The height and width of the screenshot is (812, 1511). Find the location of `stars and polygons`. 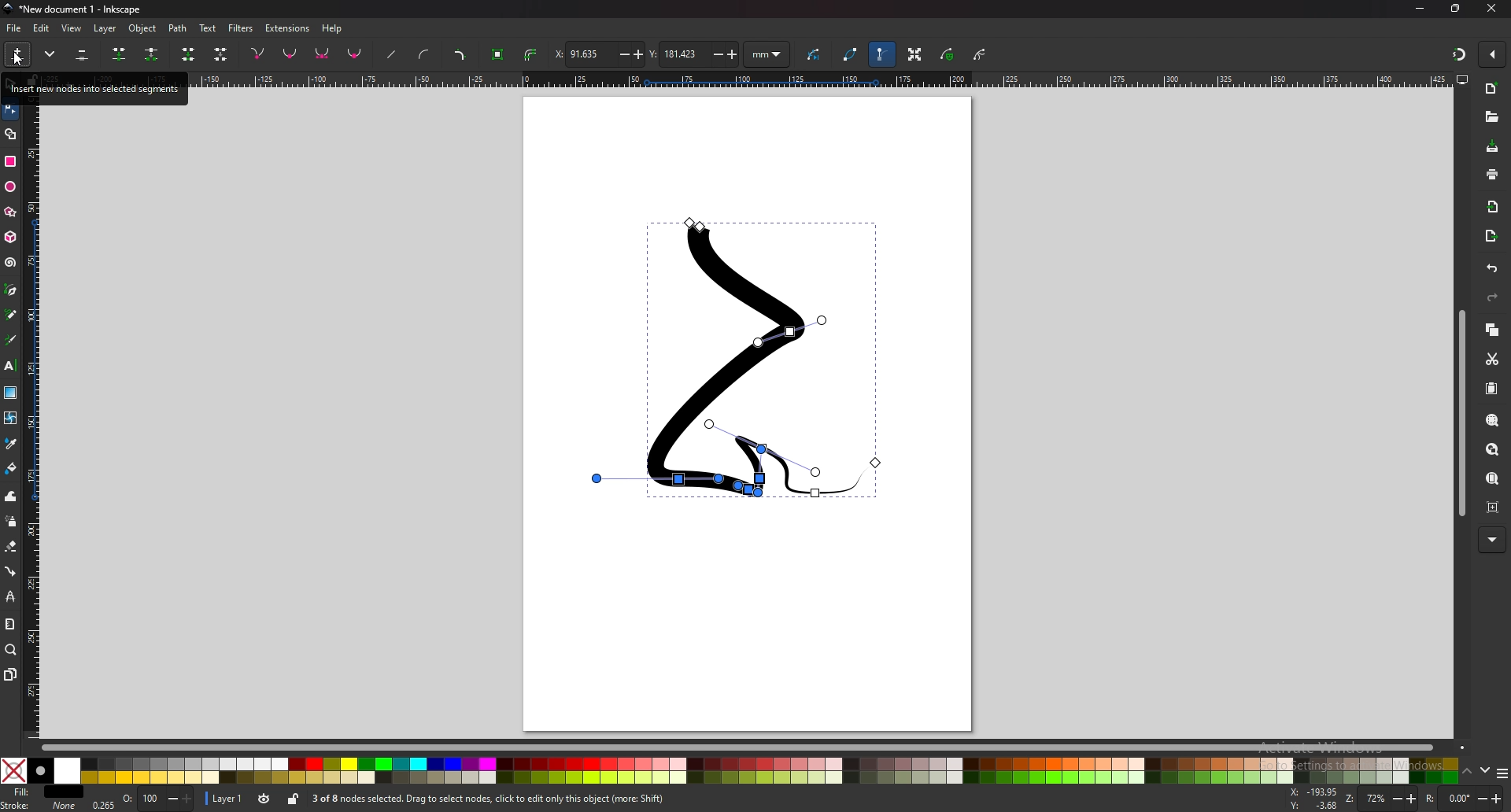

stars and polygons is located at coordinates (9, 212).